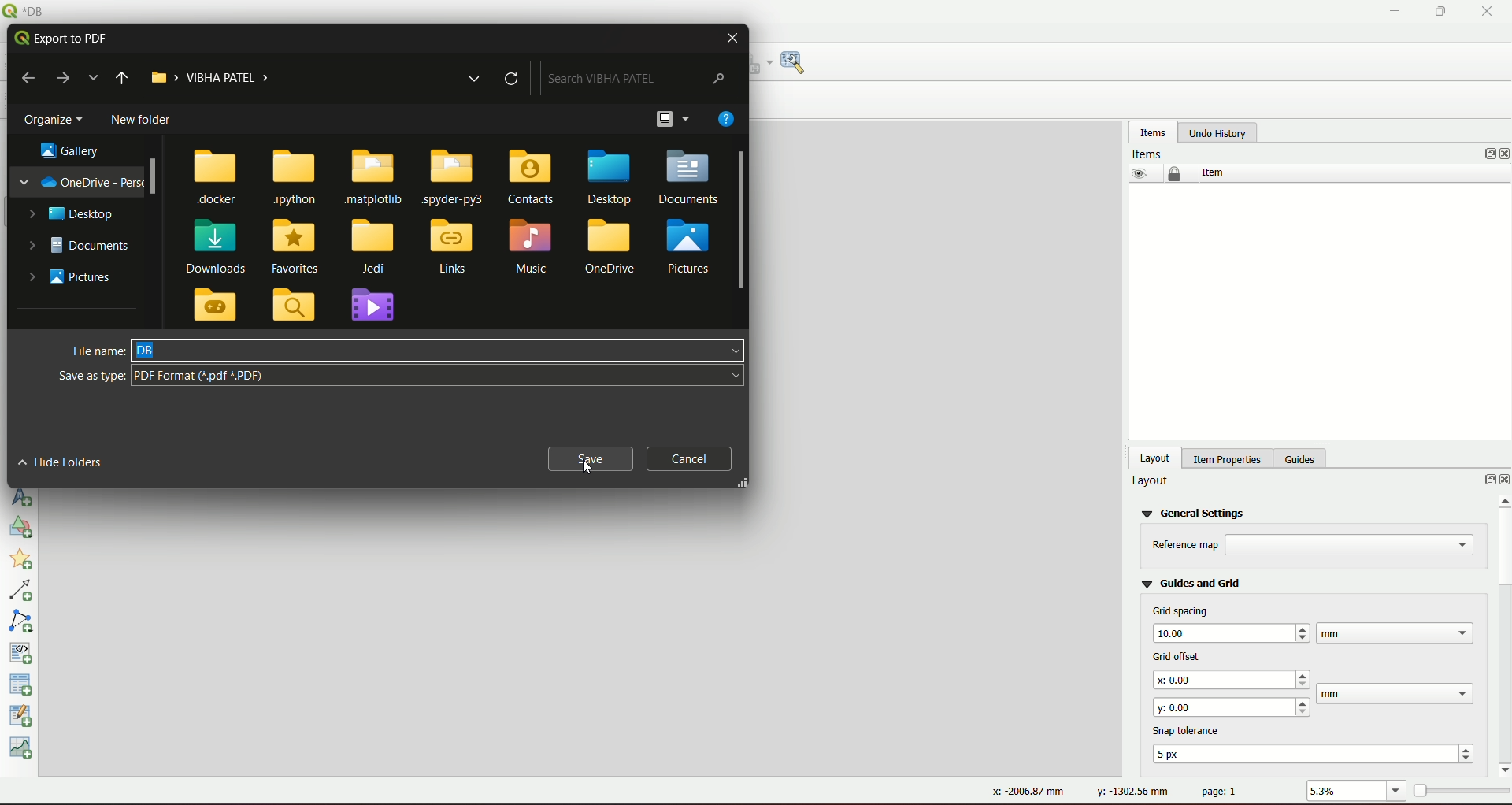 The image size is (1512, 805). Describe the element at coordinates (31, 79) in the screenshot. I see `previous` at that location.